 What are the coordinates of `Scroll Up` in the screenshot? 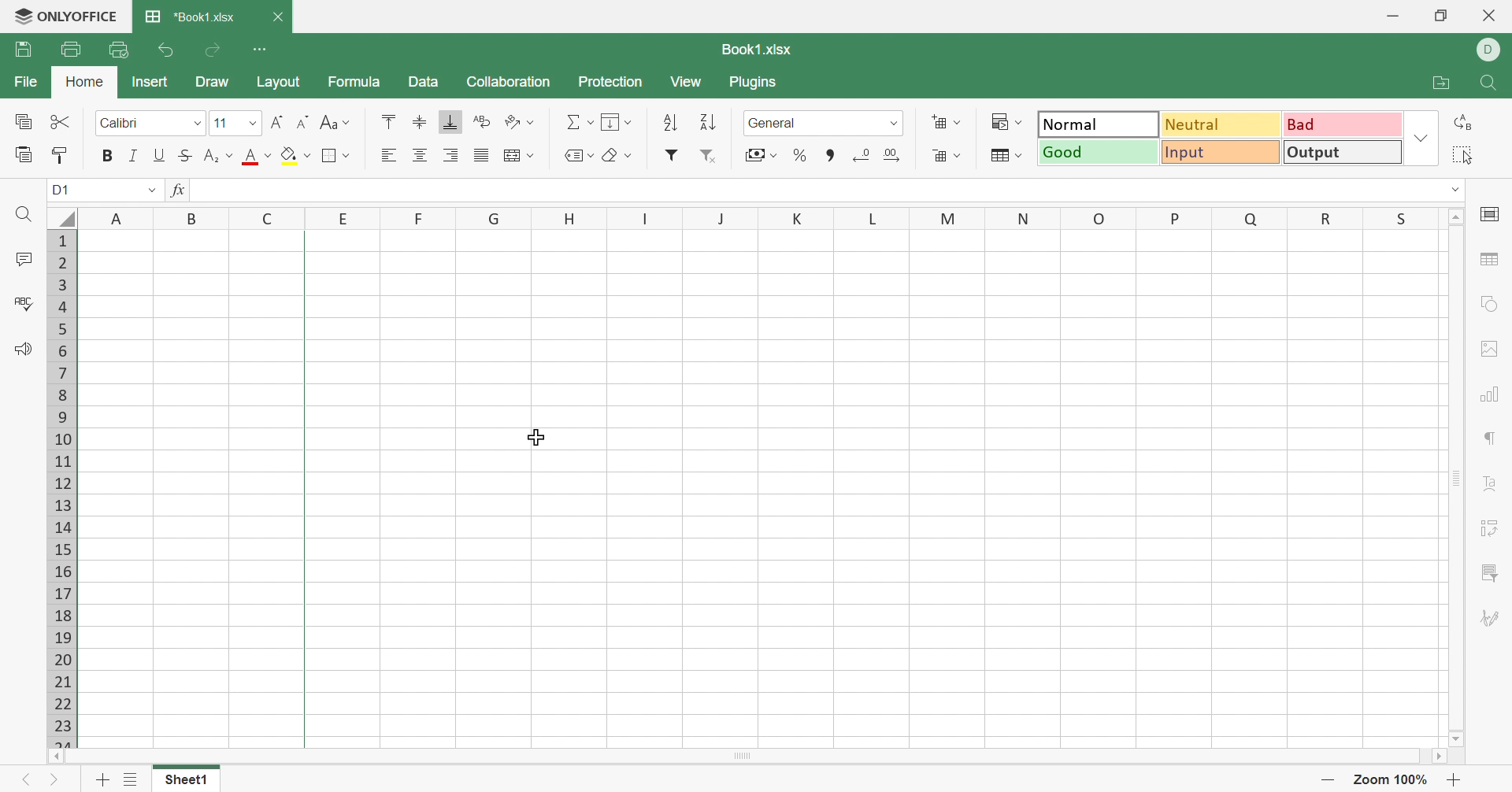 It's located at (1456, 217).